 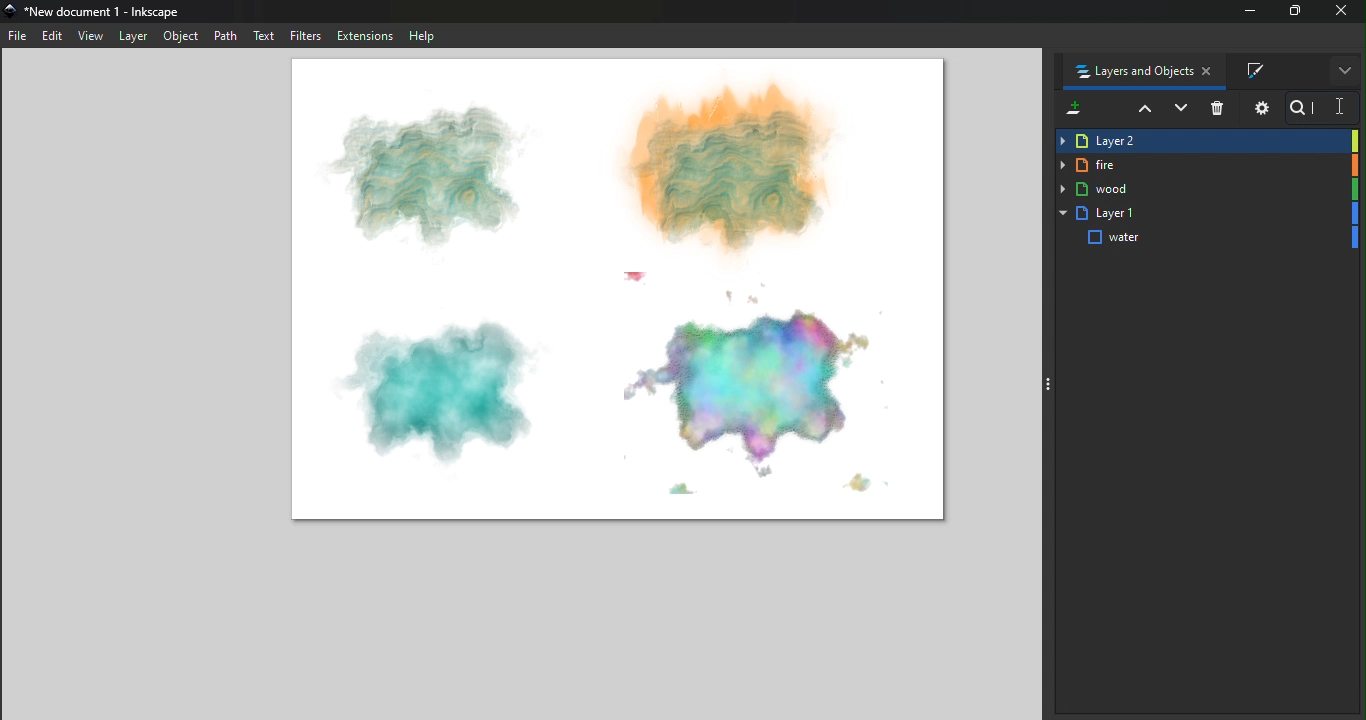 What do you see at coordinates (1345, 70) in the screenshot?
I see `More options` at bounding box center [1345, 70].